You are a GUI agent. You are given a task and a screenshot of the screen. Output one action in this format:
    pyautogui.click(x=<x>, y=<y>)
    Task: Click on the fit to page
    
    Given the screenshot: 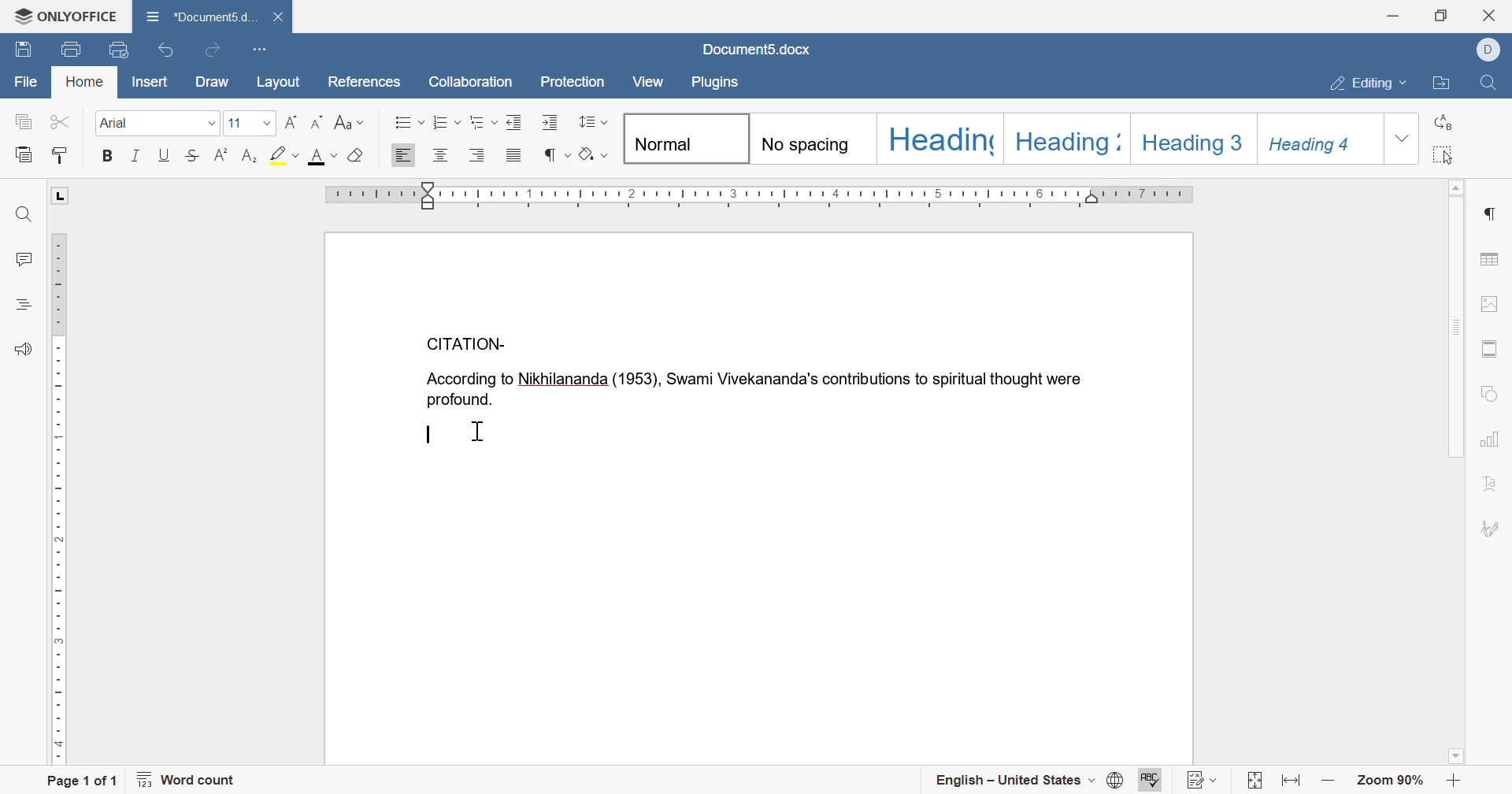 What is the action you would take?
    pyautogui.click(x=1255, y=781)
    